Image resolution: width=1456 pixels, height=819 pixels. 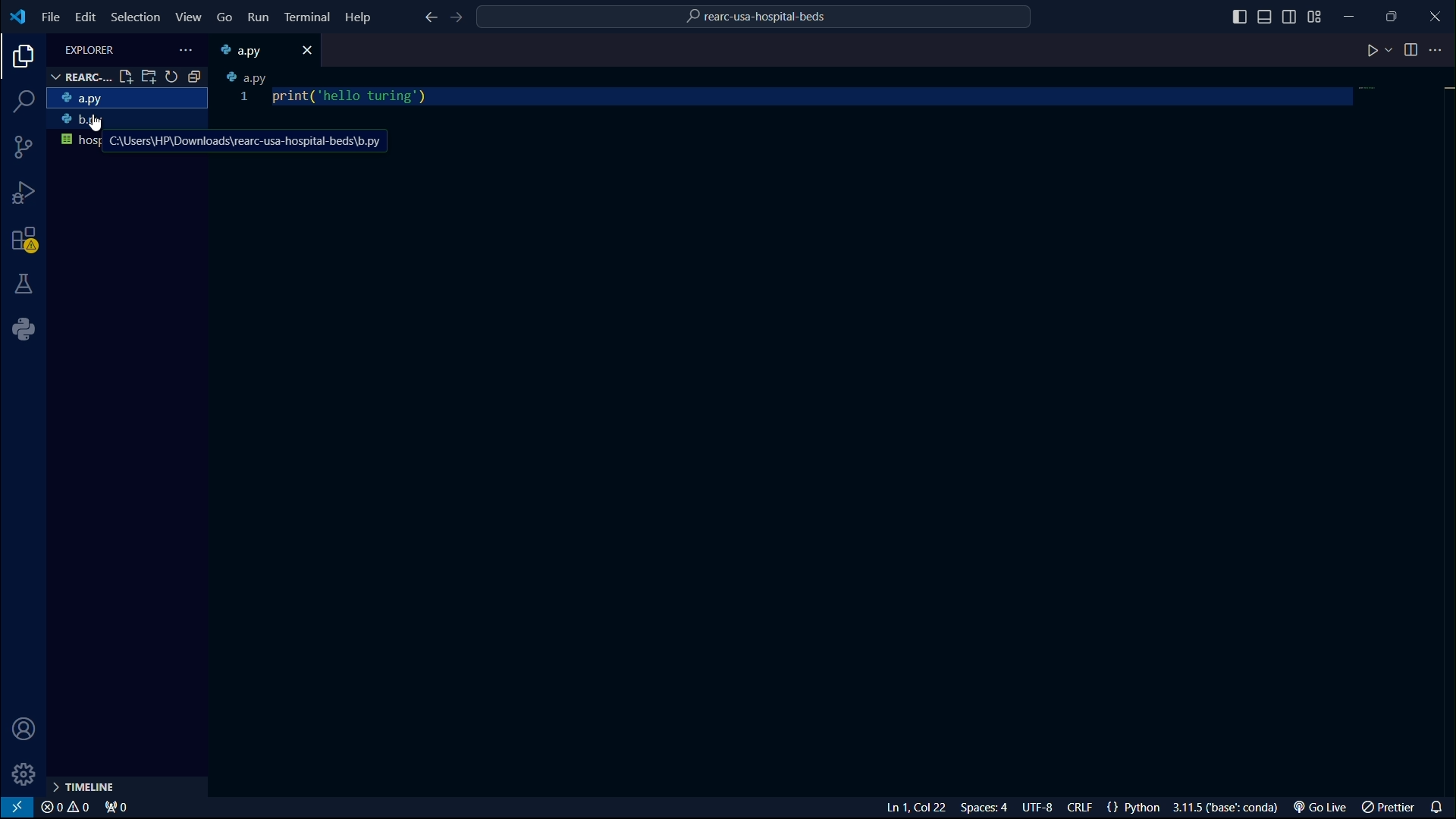 I want to click on explorer, so click(x=20, y=58).